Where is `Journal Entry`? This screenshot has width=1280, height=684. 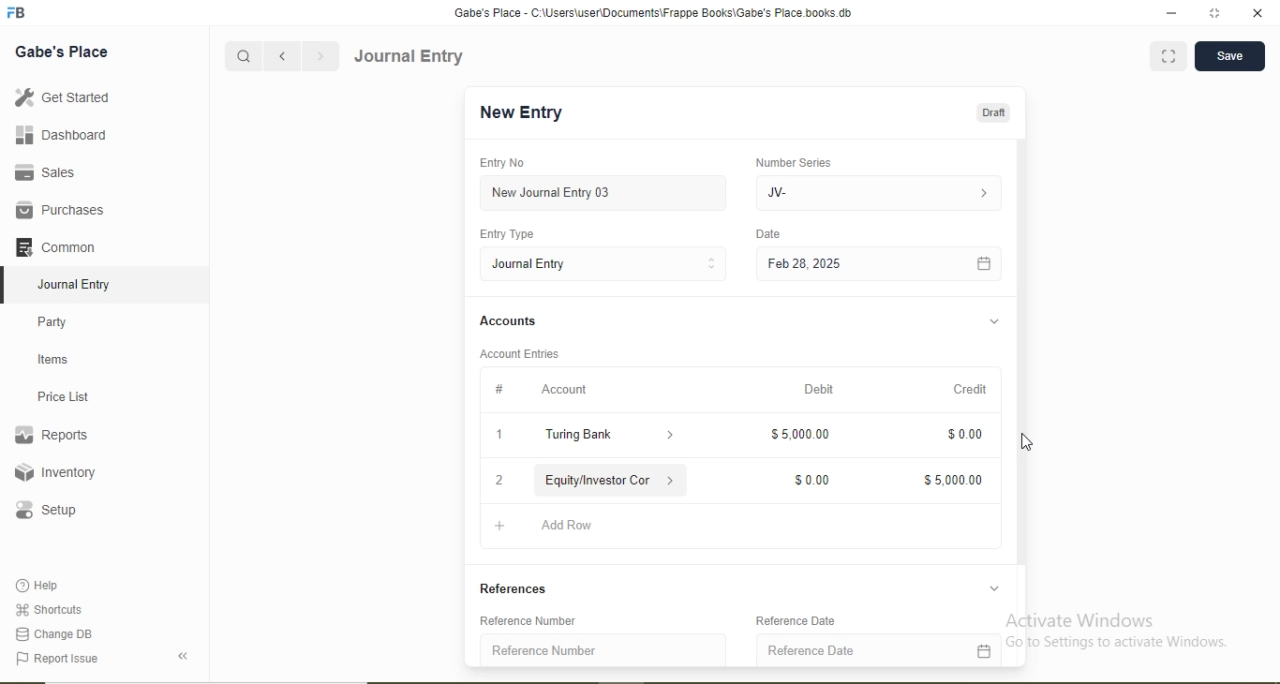
Journal Entry is located at coordinates (76, 285).